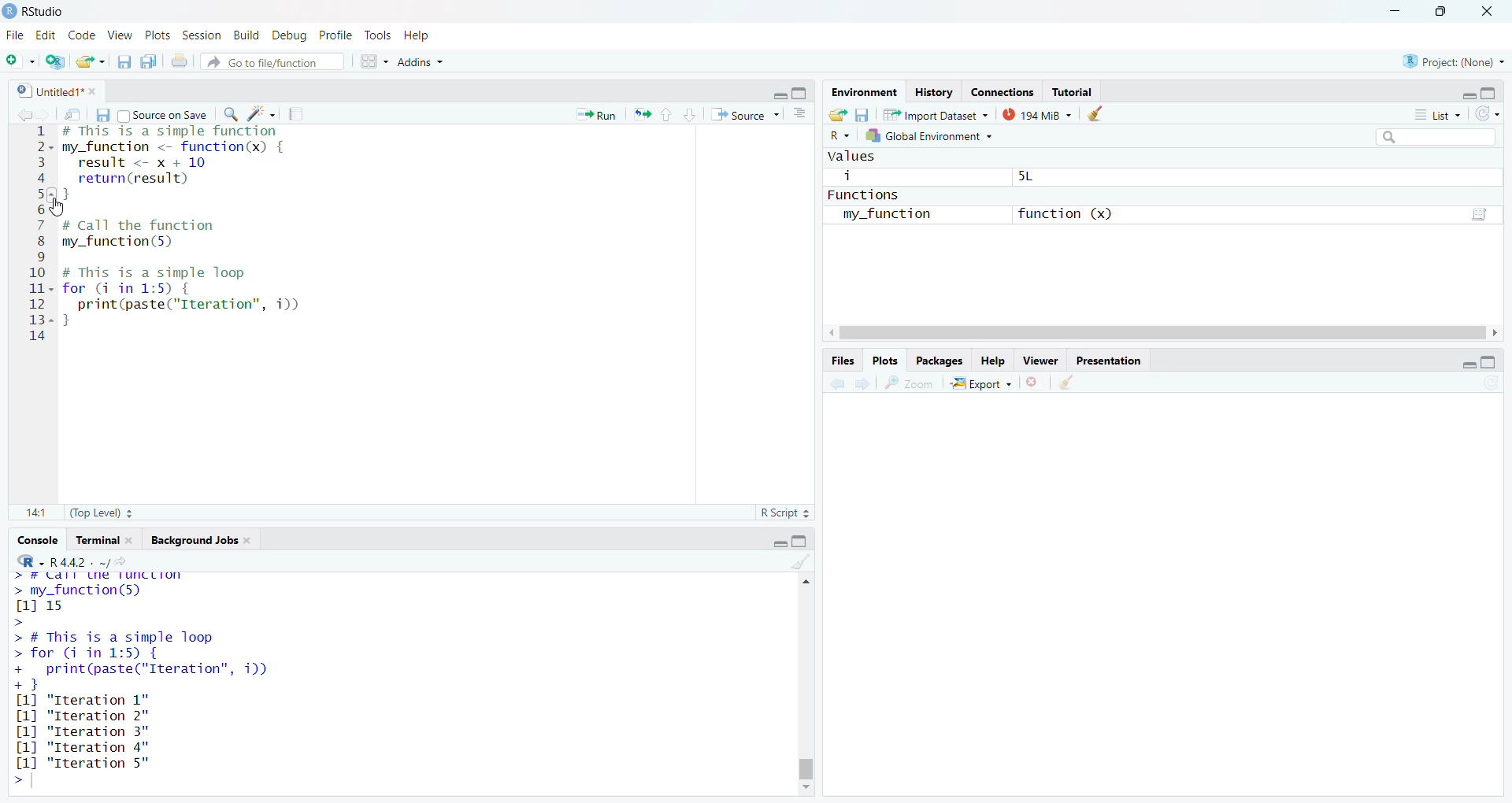  Describe the element at coordinates (149, 61) in the screenshot. I see `save all open documents` at that location.